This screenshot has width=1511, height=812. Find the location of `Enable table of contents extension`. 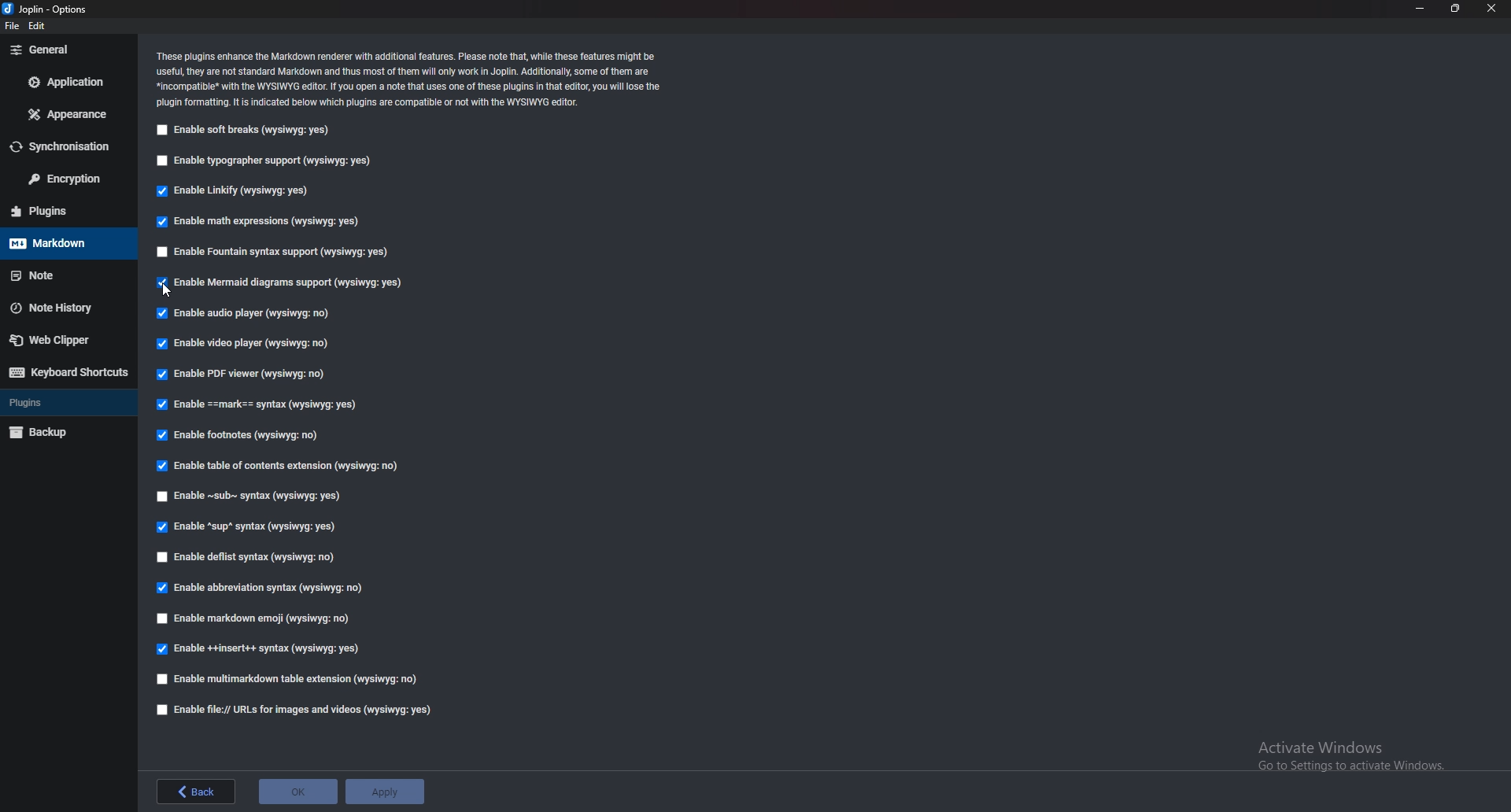

Enable table of contents extension is located at coordinates (283, 465).